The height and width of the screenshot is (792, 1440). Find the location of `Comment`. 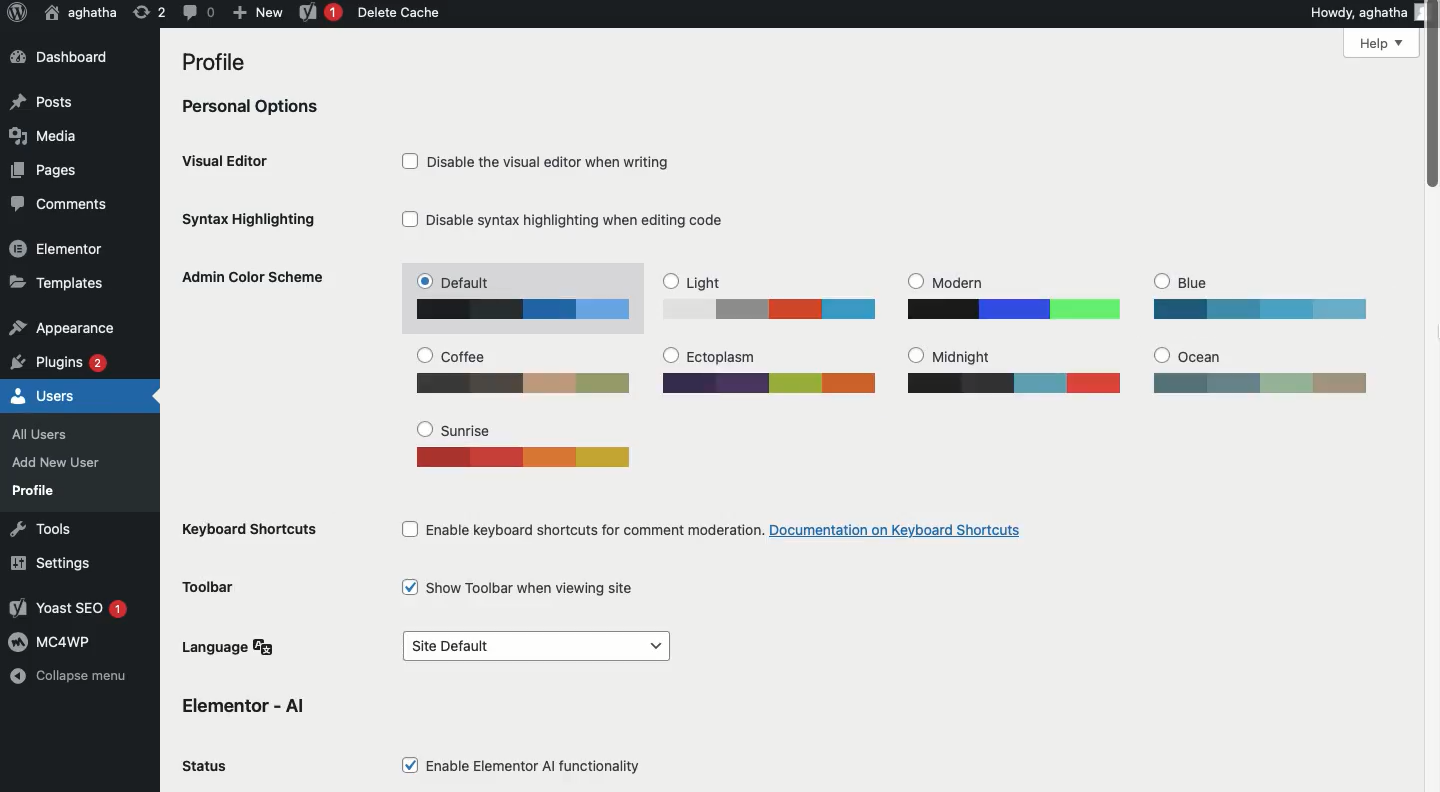

Comment is located at coordinates (197, 11).